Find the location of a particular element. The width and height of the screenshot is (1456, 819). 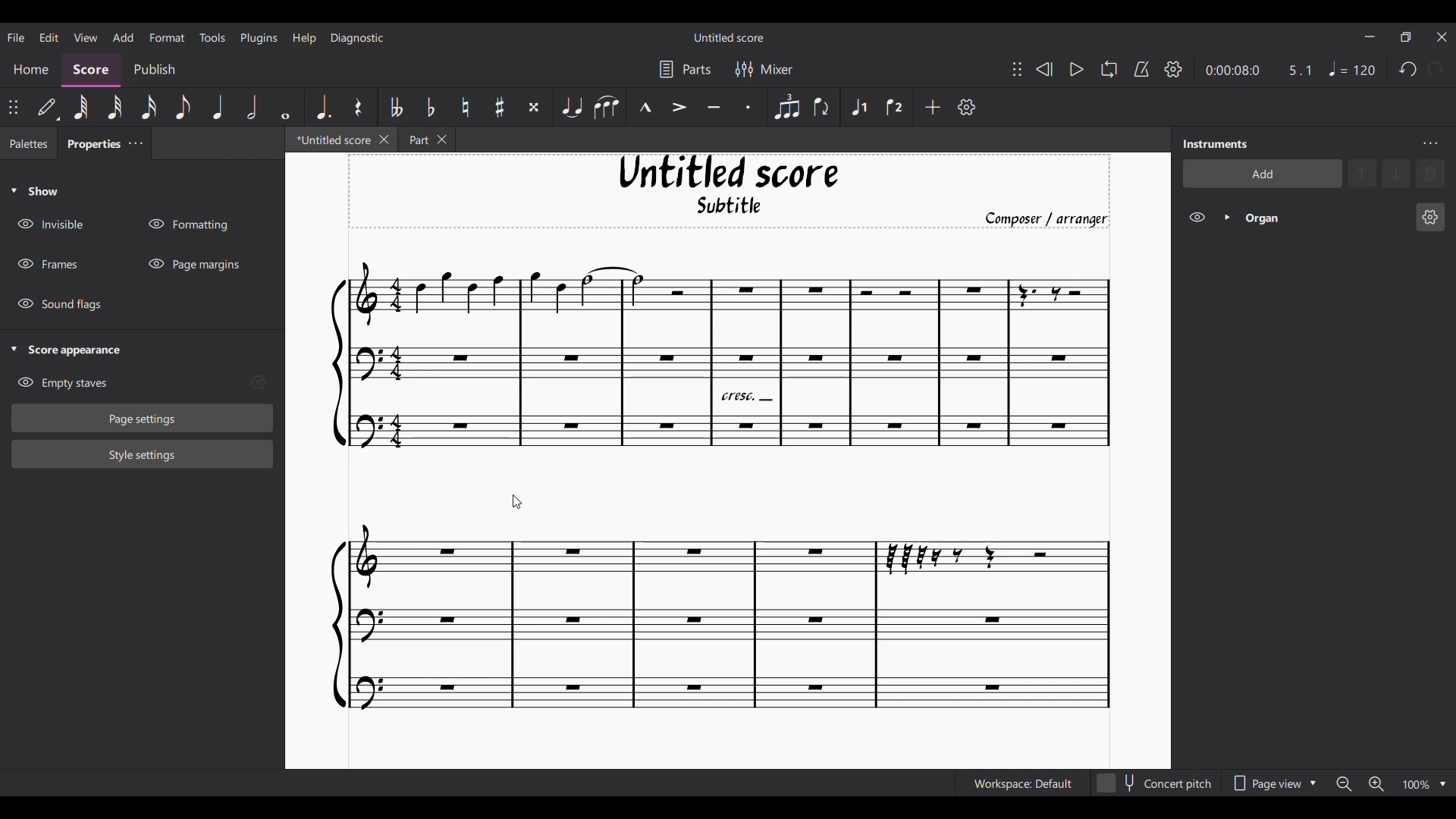

Rest is located at coordinates (358, 107).